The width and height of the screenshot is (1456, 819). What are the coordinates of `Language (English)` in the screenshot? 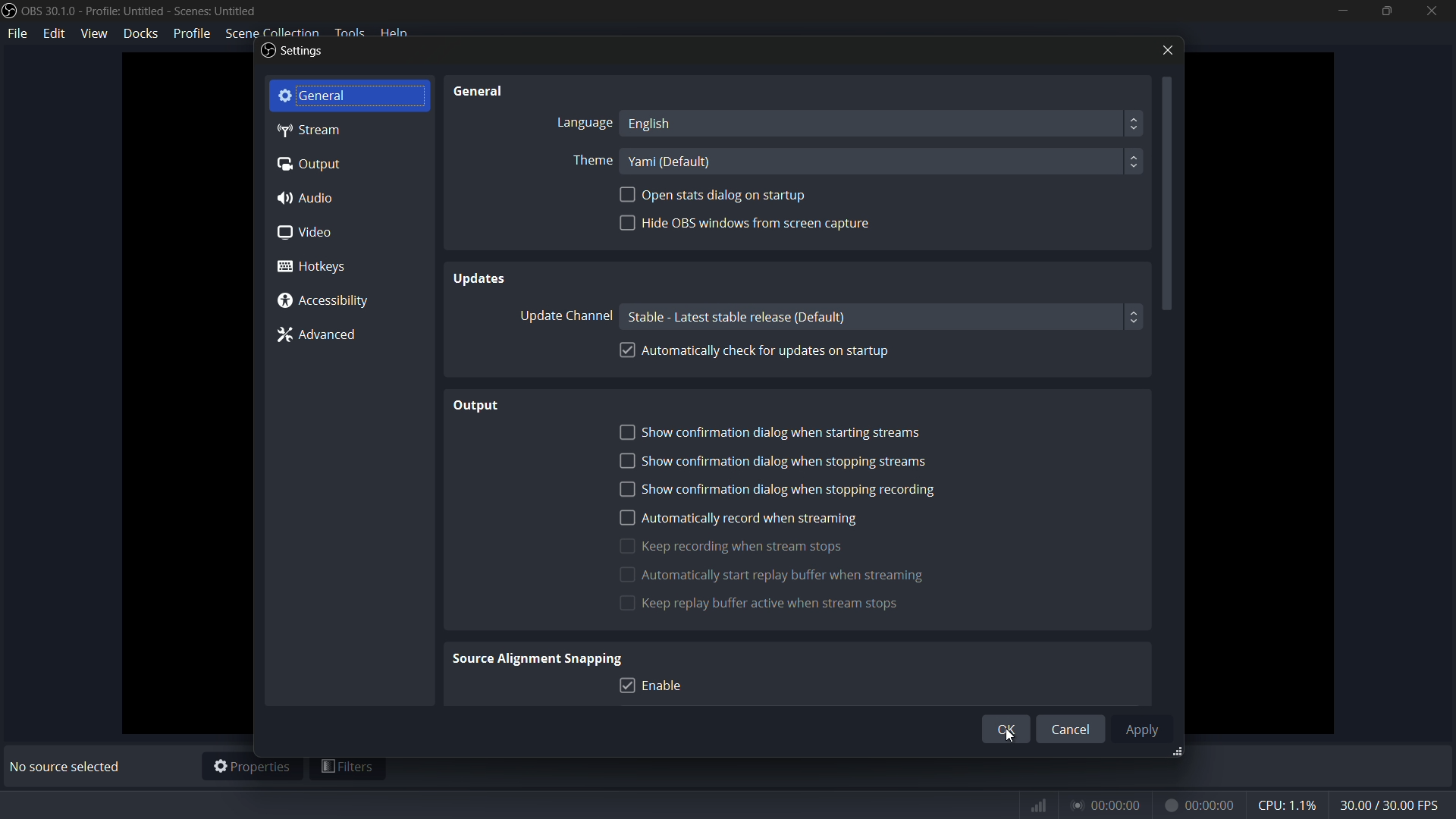 It's located at (852, 123).